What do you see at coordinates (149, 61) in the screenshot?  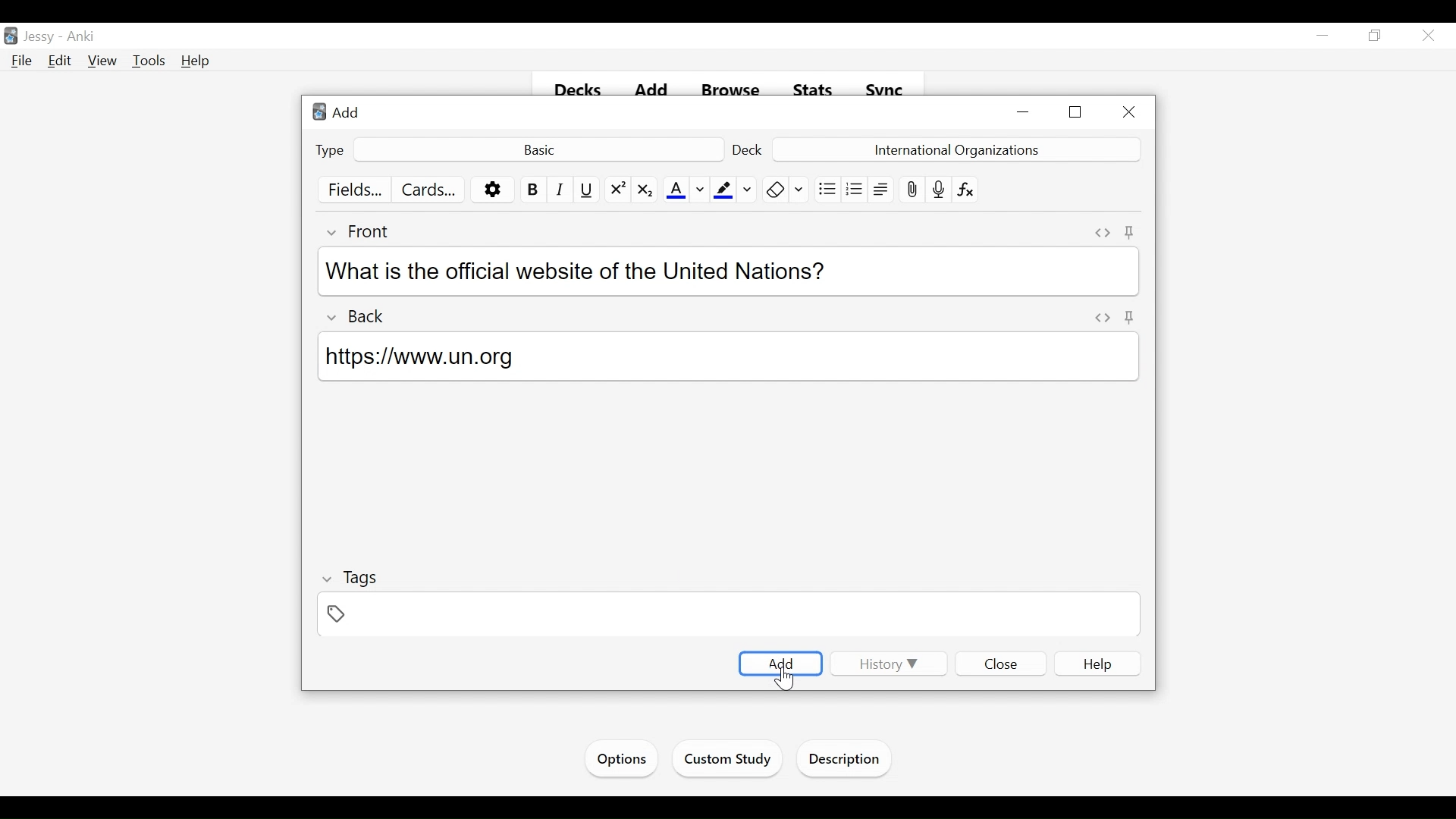 I see `Tools` at bounding box center [149, 61].